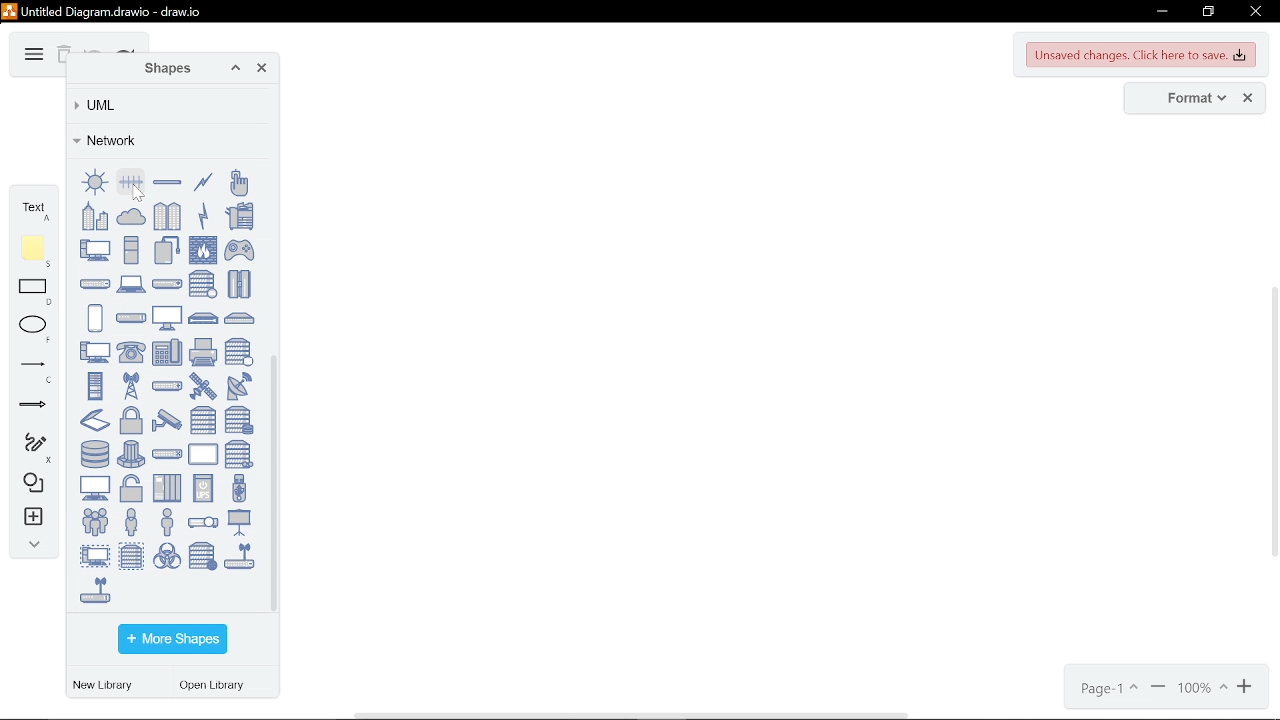  I want to click on new library, so click(106, 686).